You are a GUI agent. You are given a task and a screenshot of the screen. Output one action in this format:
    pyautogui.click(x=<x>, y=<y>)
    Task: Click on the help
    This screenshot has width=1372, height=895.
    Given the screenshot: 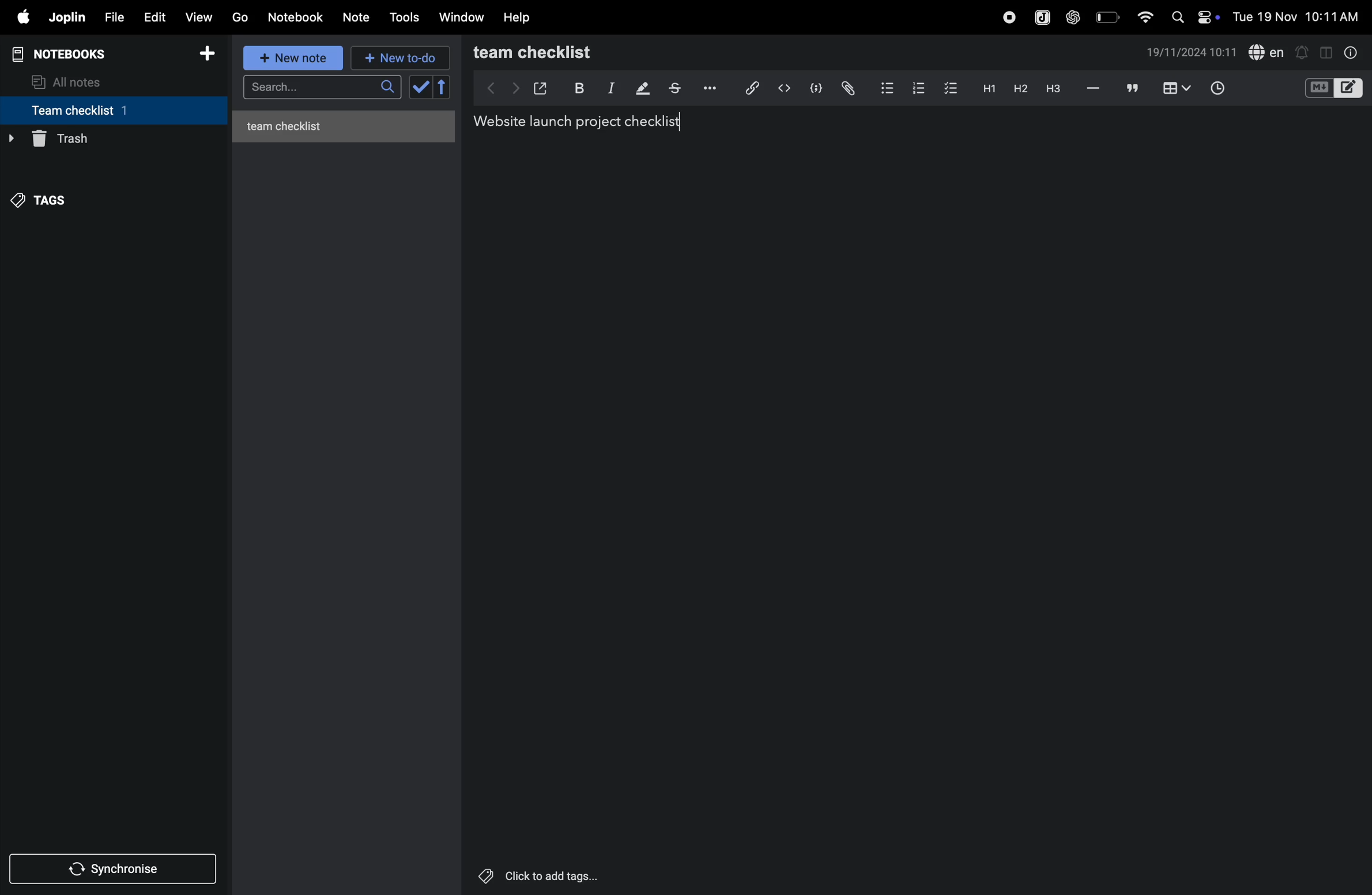 What is the action you would take?
    pyautogui.click(x=520, y=17)
    